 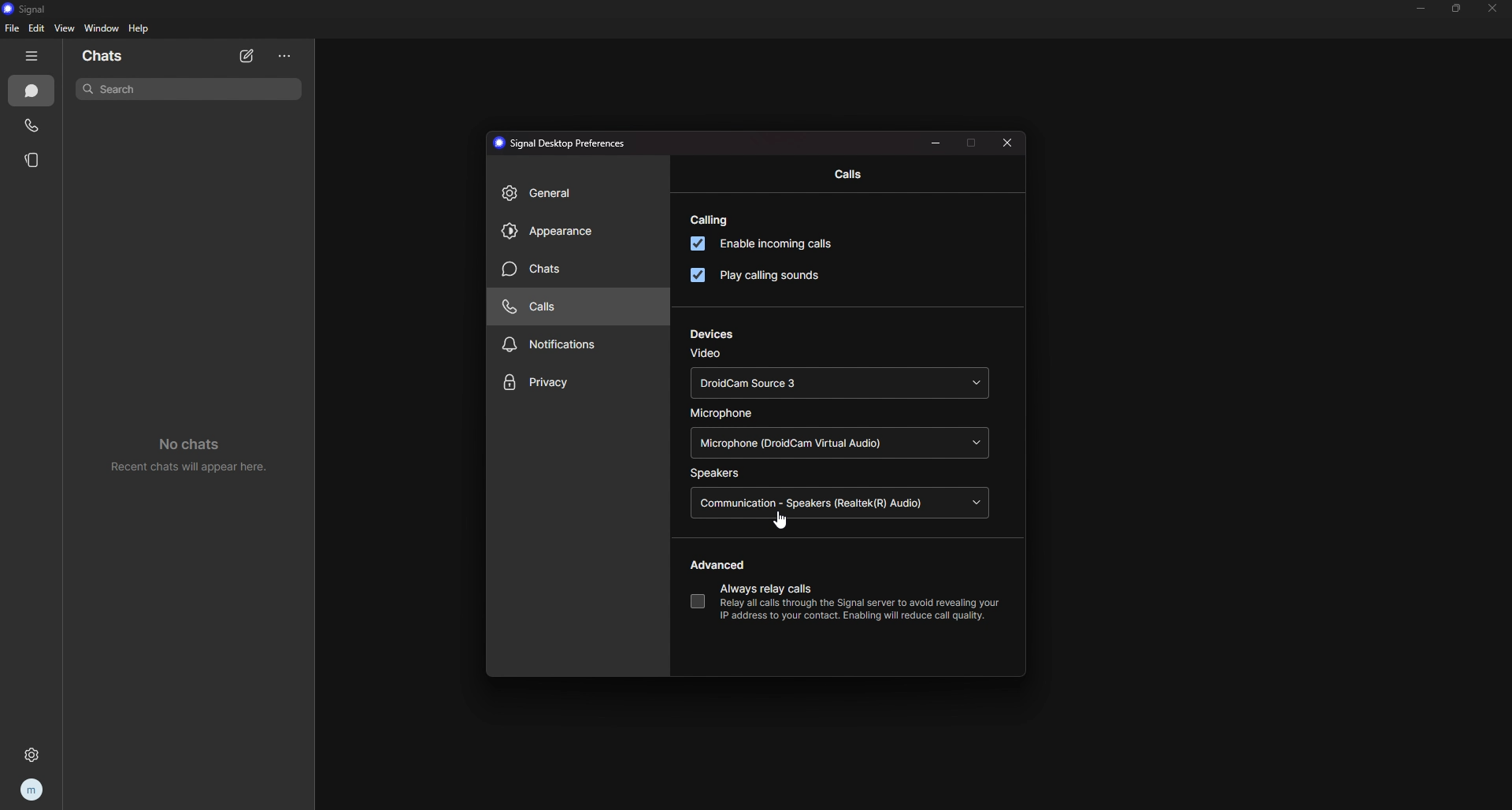 I want to click on speakers, so click(x=717, y=474).